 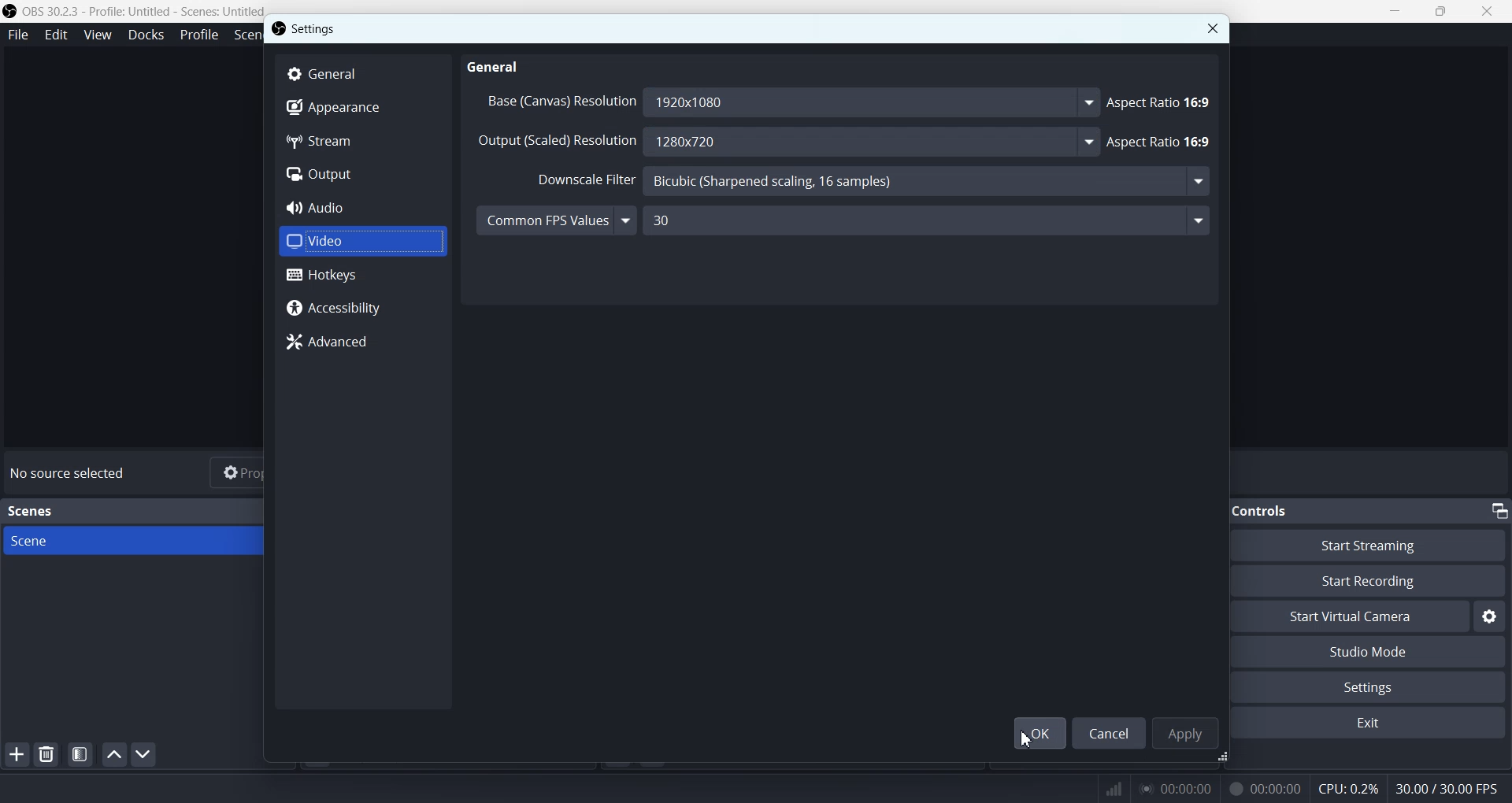 What do you see at coordinates (1374, 724) in the screenshot?
I see `Exit` at bounding box center [1374, 724].